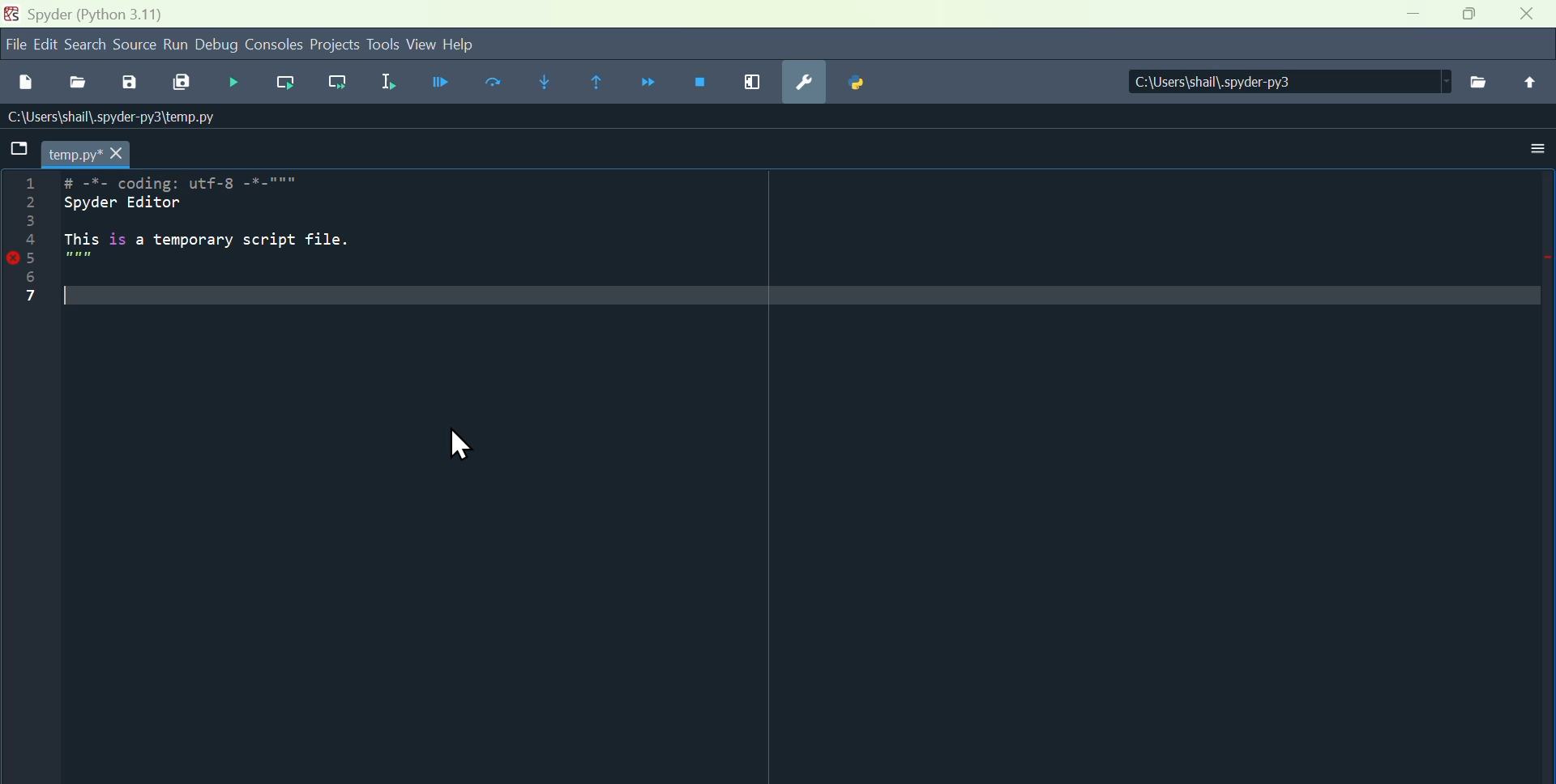  What do you see at coordinates (88, 46) in the screenshot?
I see `Search` at bounding box center [88, 46].